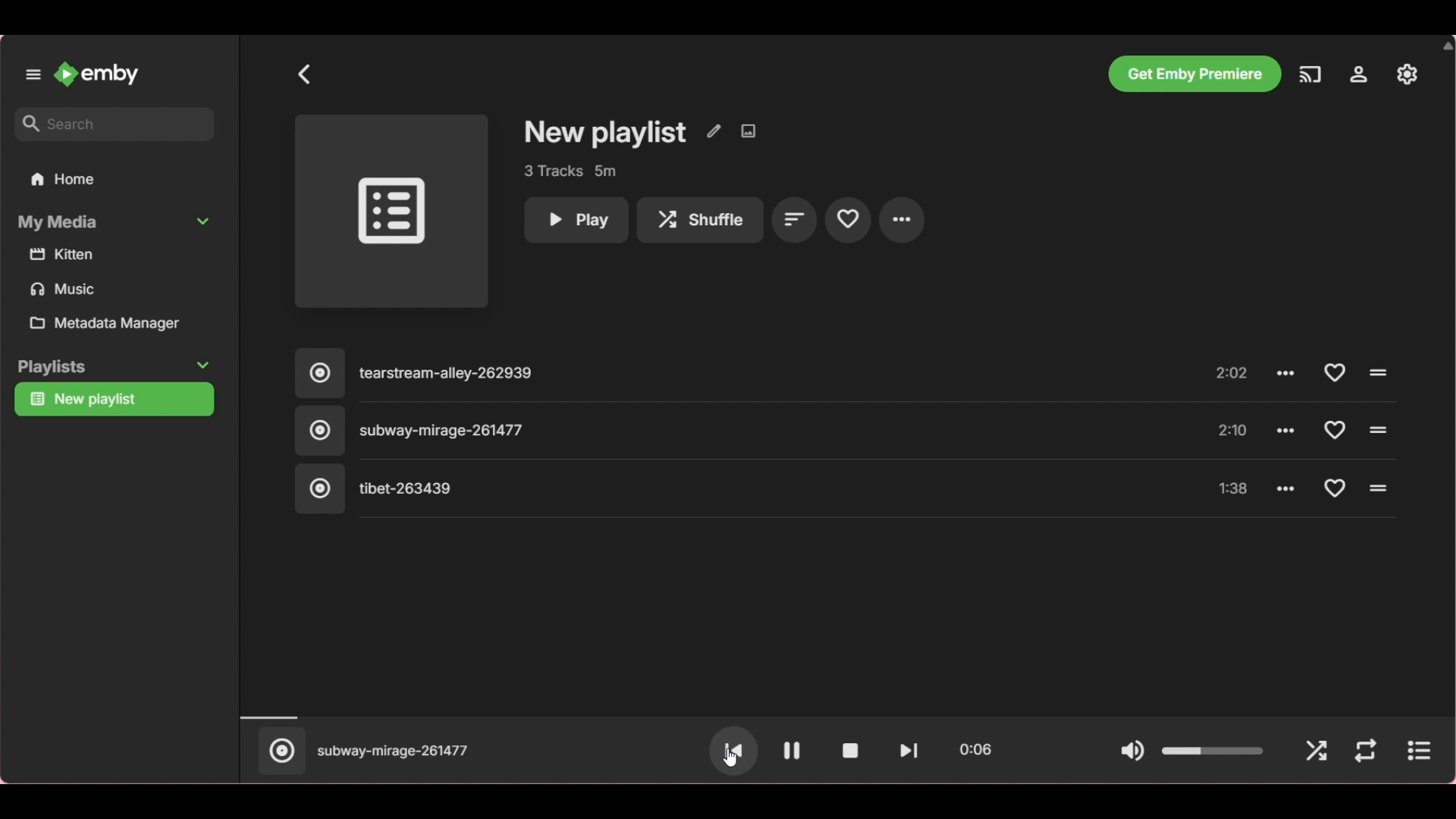 The image size is (1456, 819). I want to click on Media files, so click(118, 273).